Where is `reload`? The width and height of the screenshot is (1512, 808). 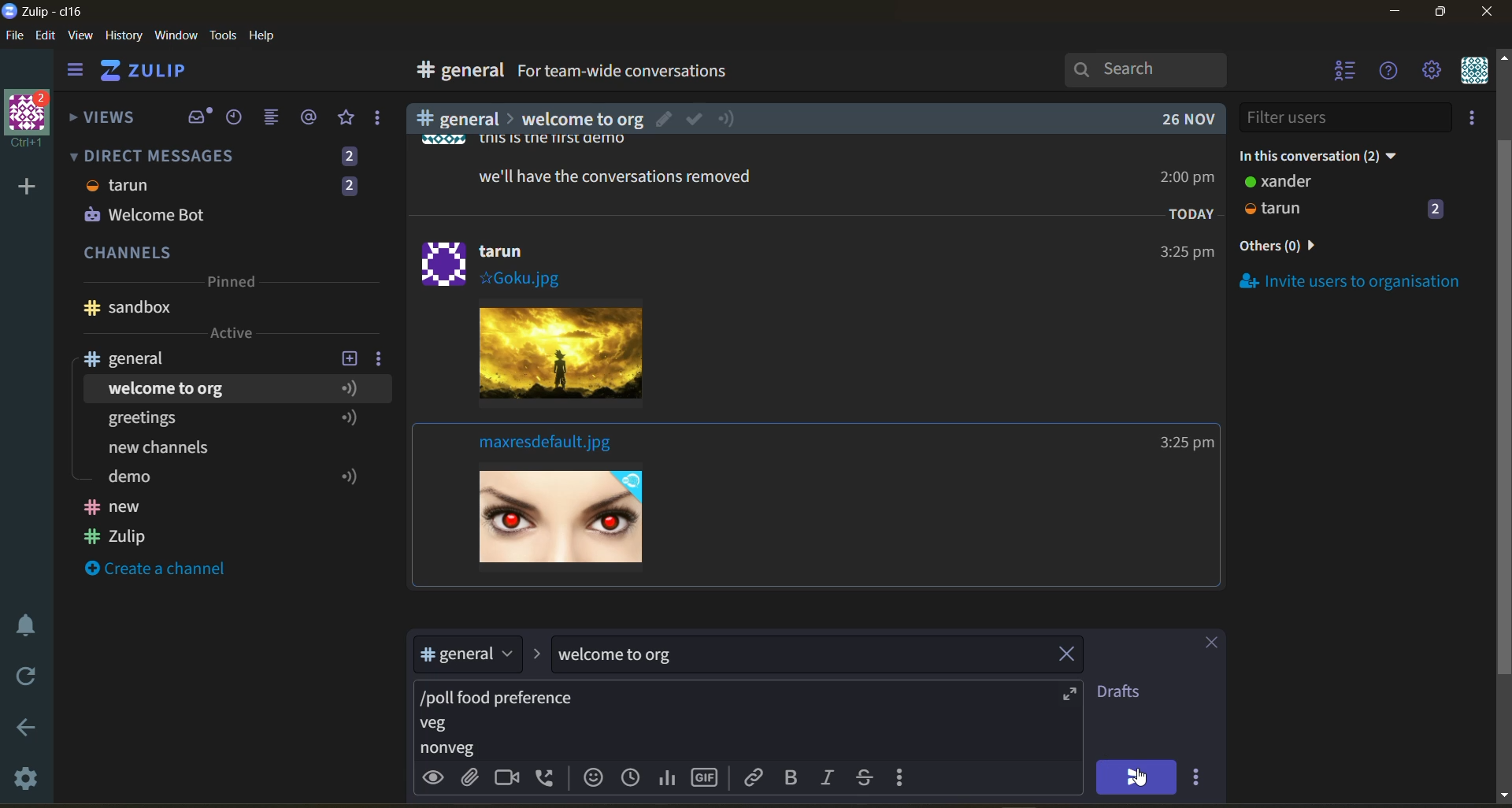
reload is located at coordinates (22, 676).